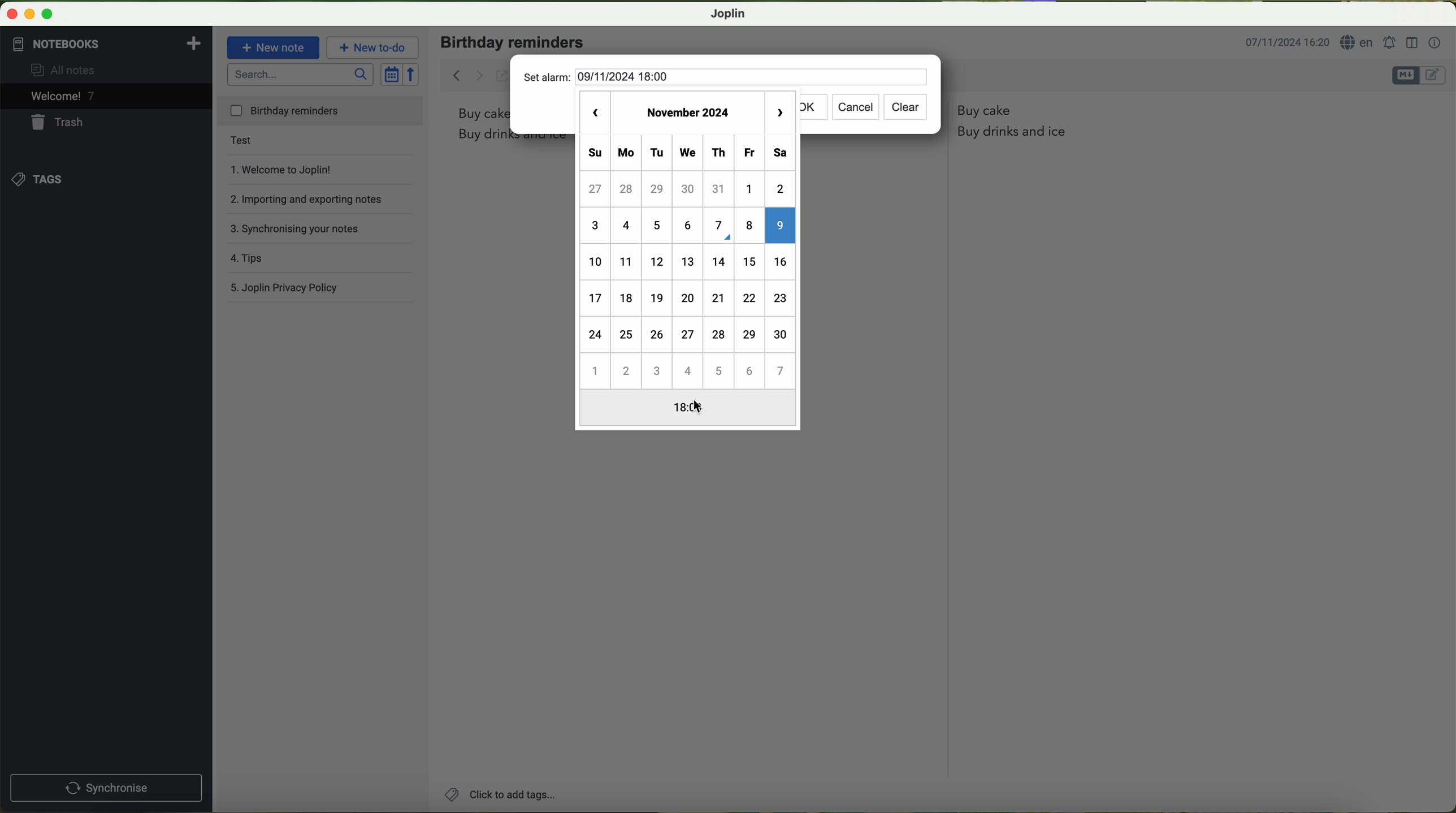 Image resolution: width=1456 pixels, height=813 pixels. Describe the element at coordinates (1436, 43) in the screenshot. I see `note properties` at that location.